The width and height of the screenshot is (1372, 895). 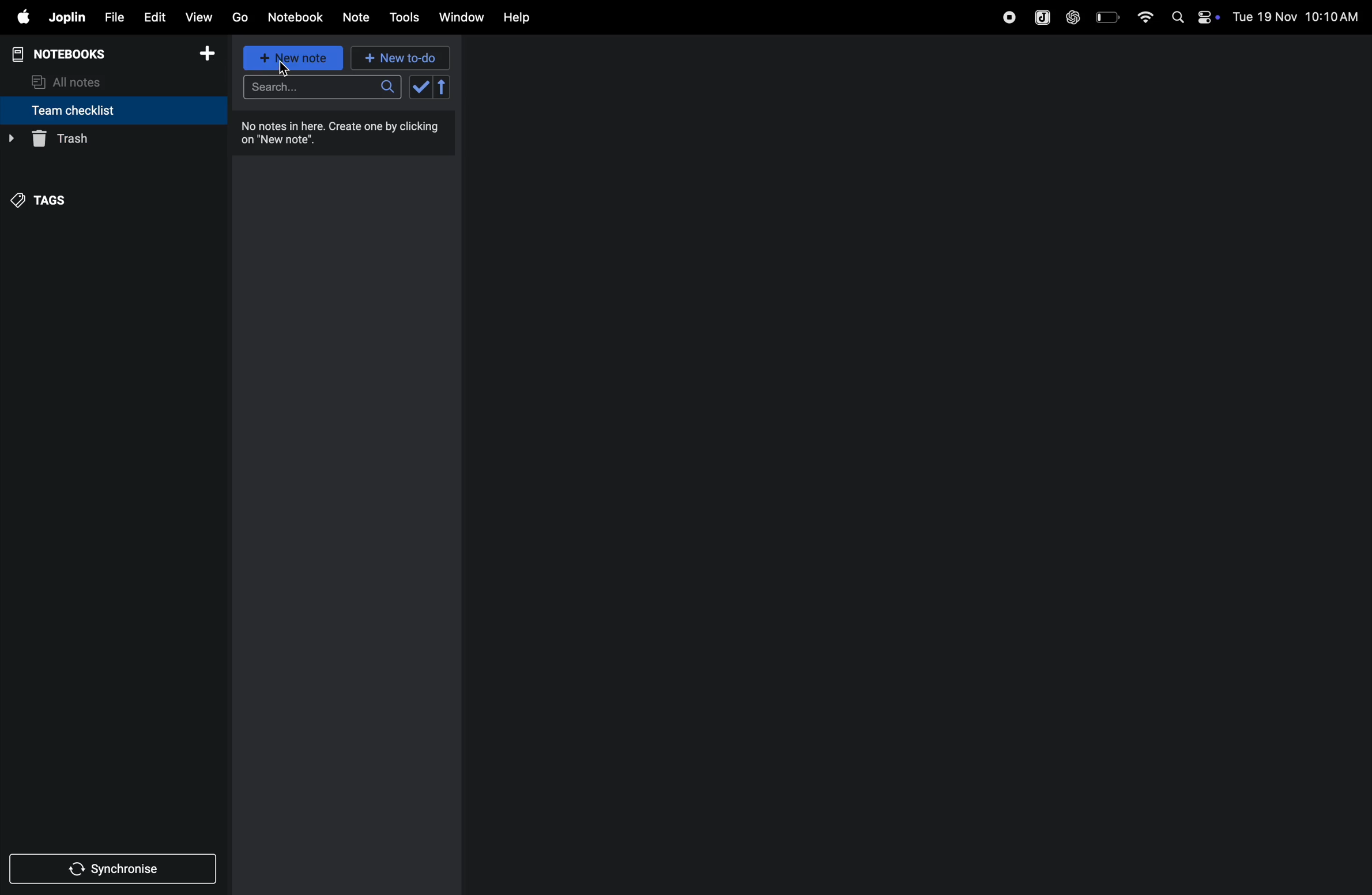 I want to click on tags, so click(x=47, y=197).